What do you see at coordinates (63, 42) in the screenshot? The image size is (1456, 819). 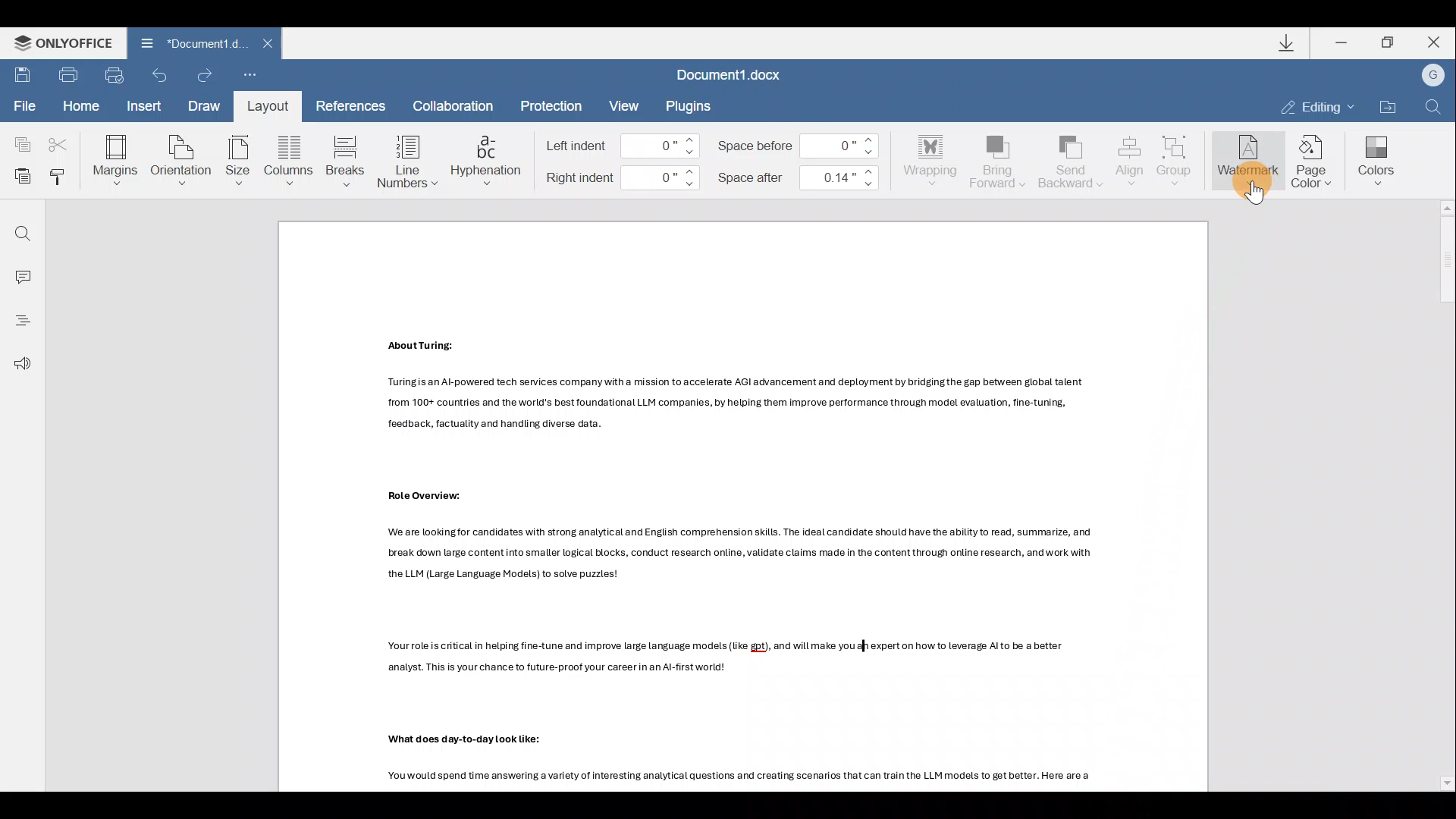 I see `ONLYOFFICE` at bounding box center [63, 42].